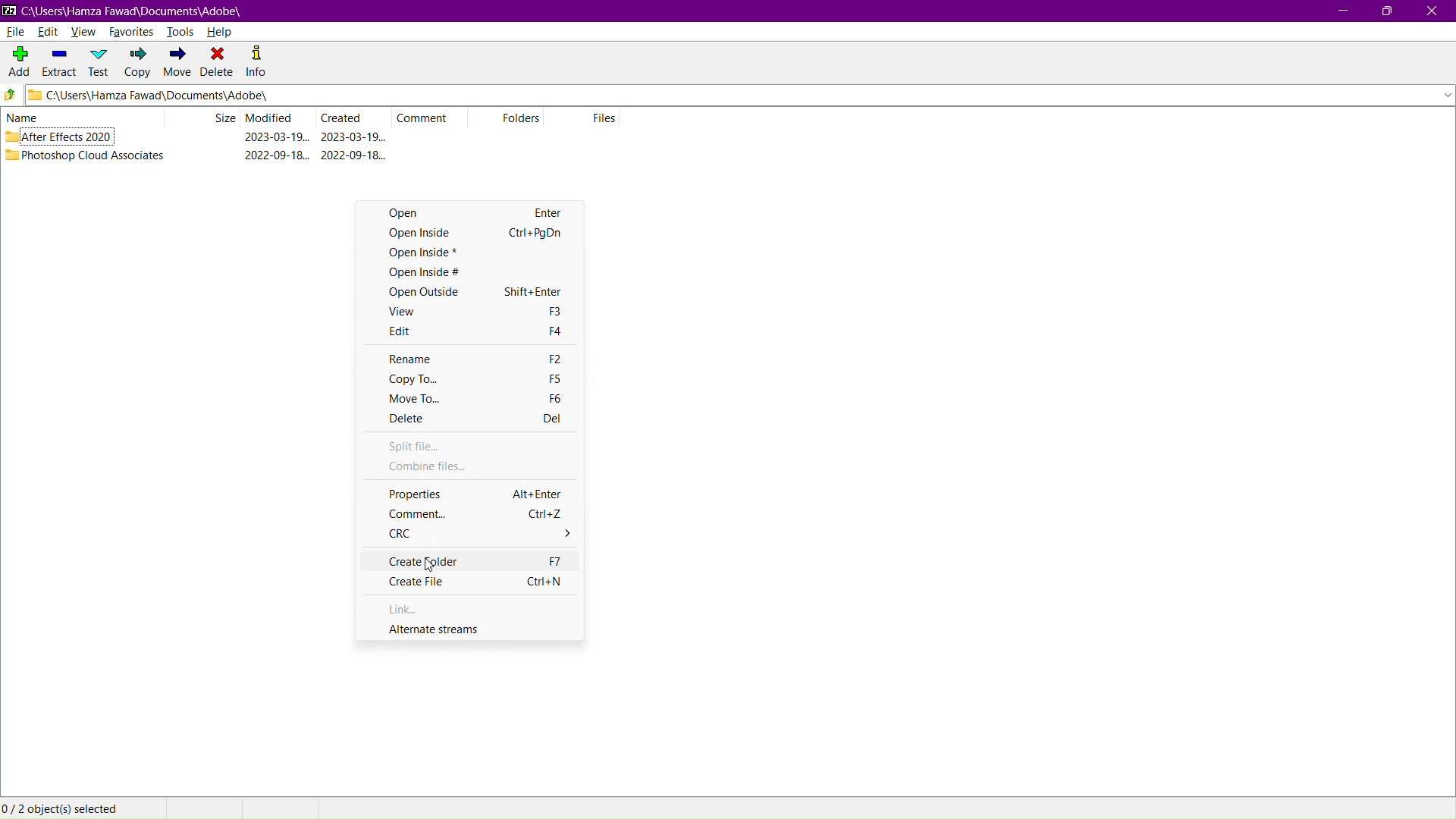  Describe the element at coordinates (17, 59) in the screenshot. I see `Add` at that location.